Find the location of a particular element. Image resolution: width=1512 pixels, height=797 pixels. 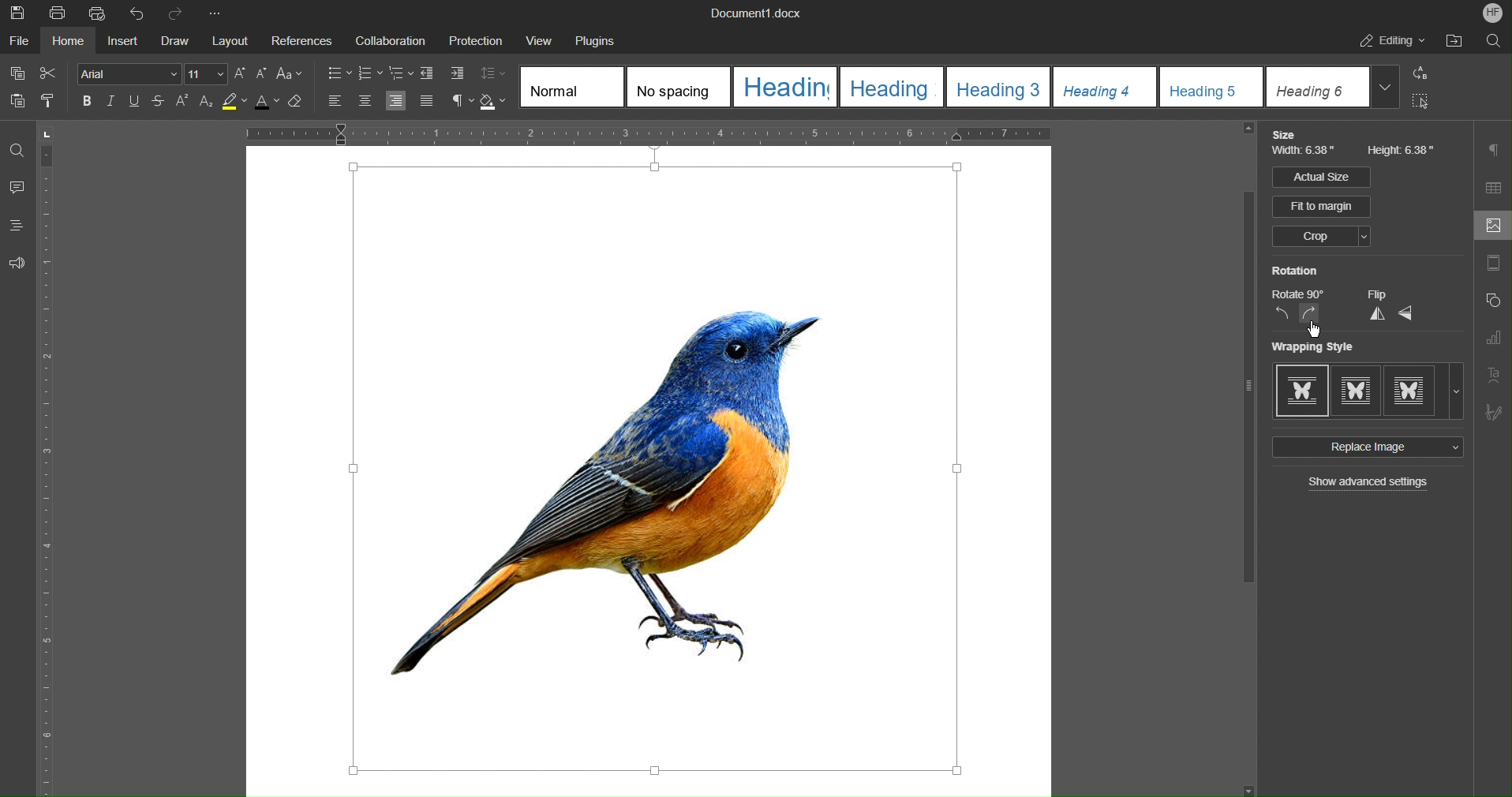

Normal is located at coordinates (572, 85).